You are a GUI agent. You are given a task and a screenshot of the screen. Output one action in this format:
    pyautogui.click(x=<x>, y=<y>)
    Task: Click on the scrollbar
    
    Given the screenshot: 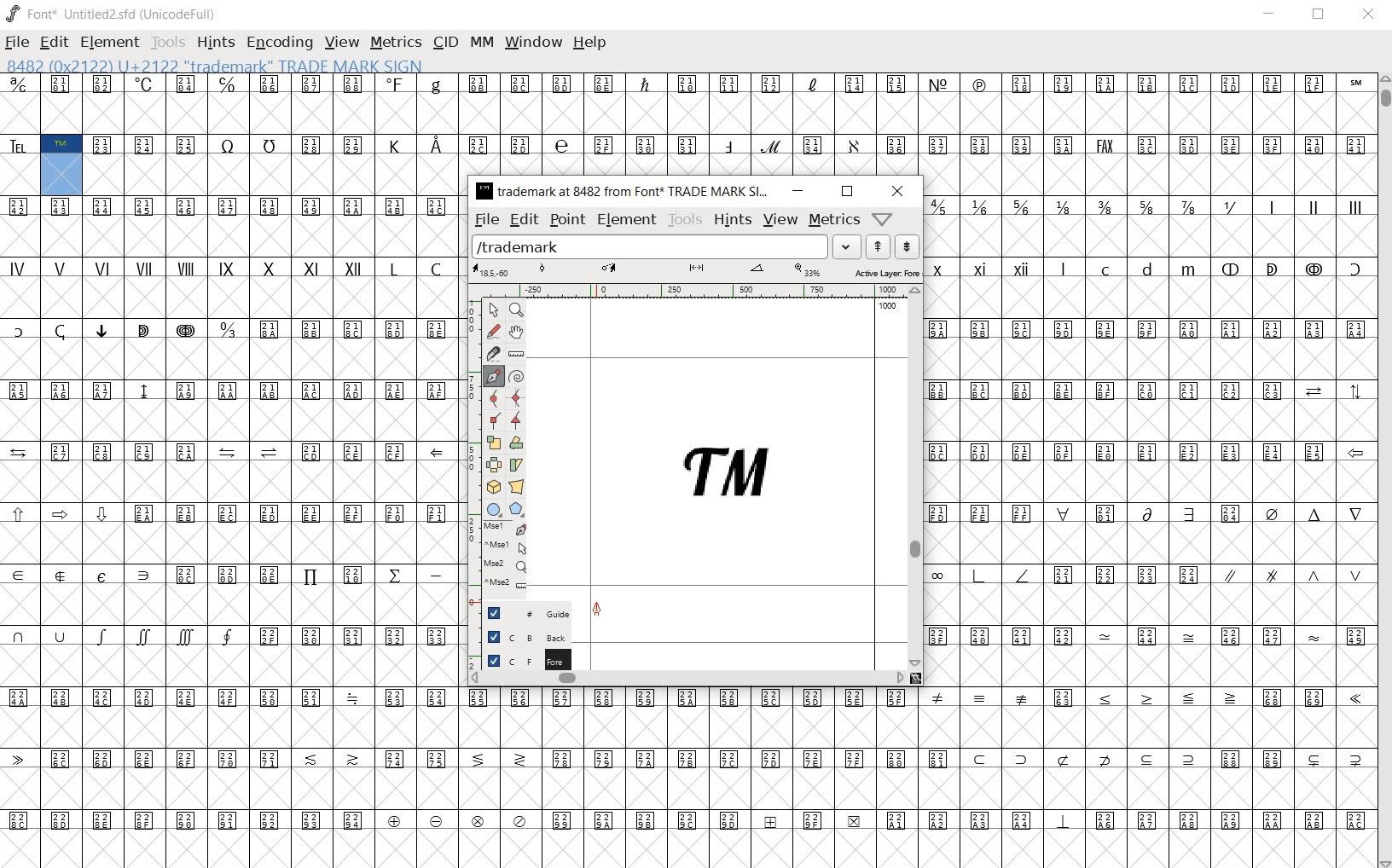 What is the action you would take?
    pyautogui.click(x=917, y=476)
    